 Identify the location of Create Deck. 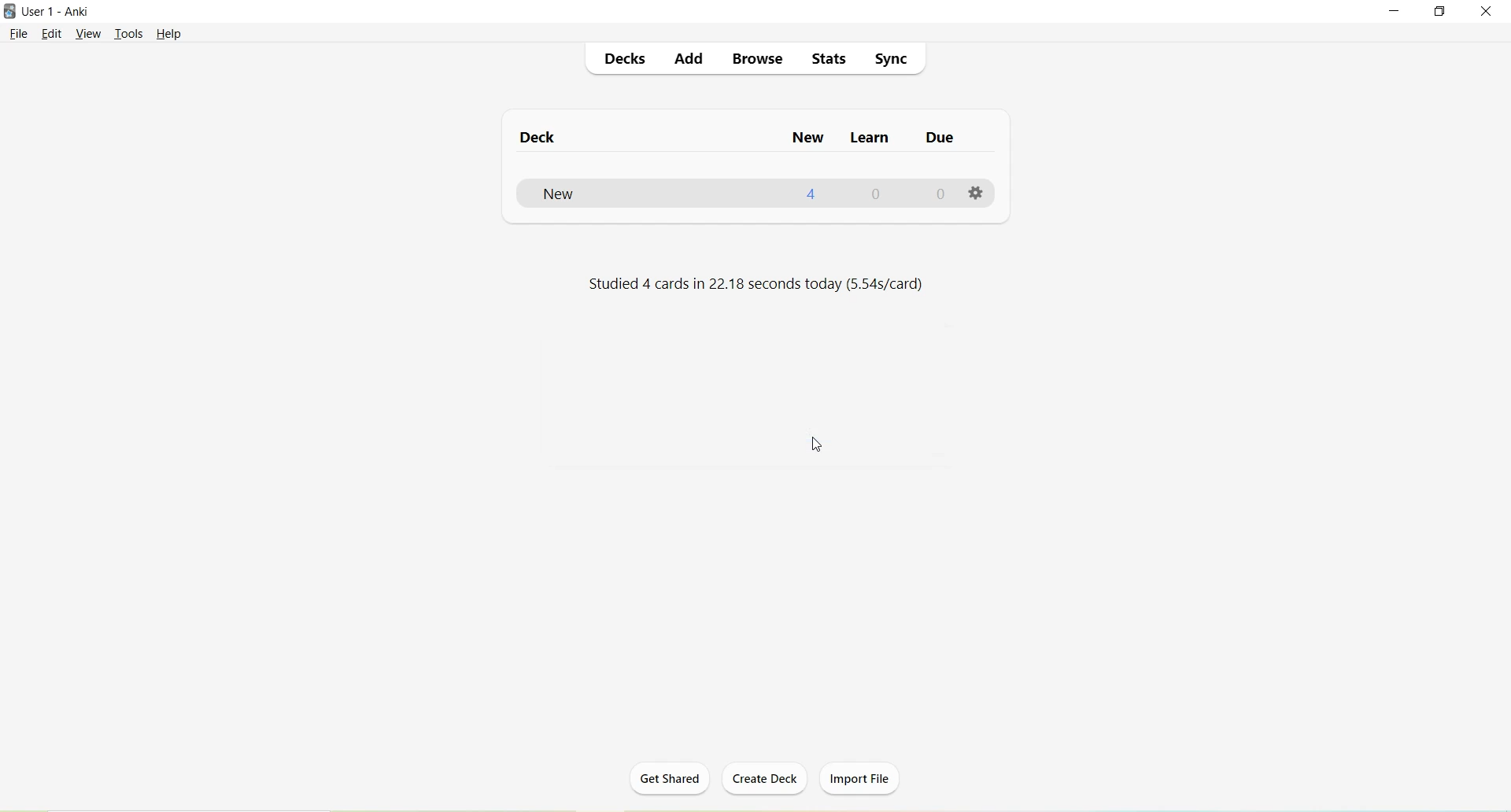
(766, 780).